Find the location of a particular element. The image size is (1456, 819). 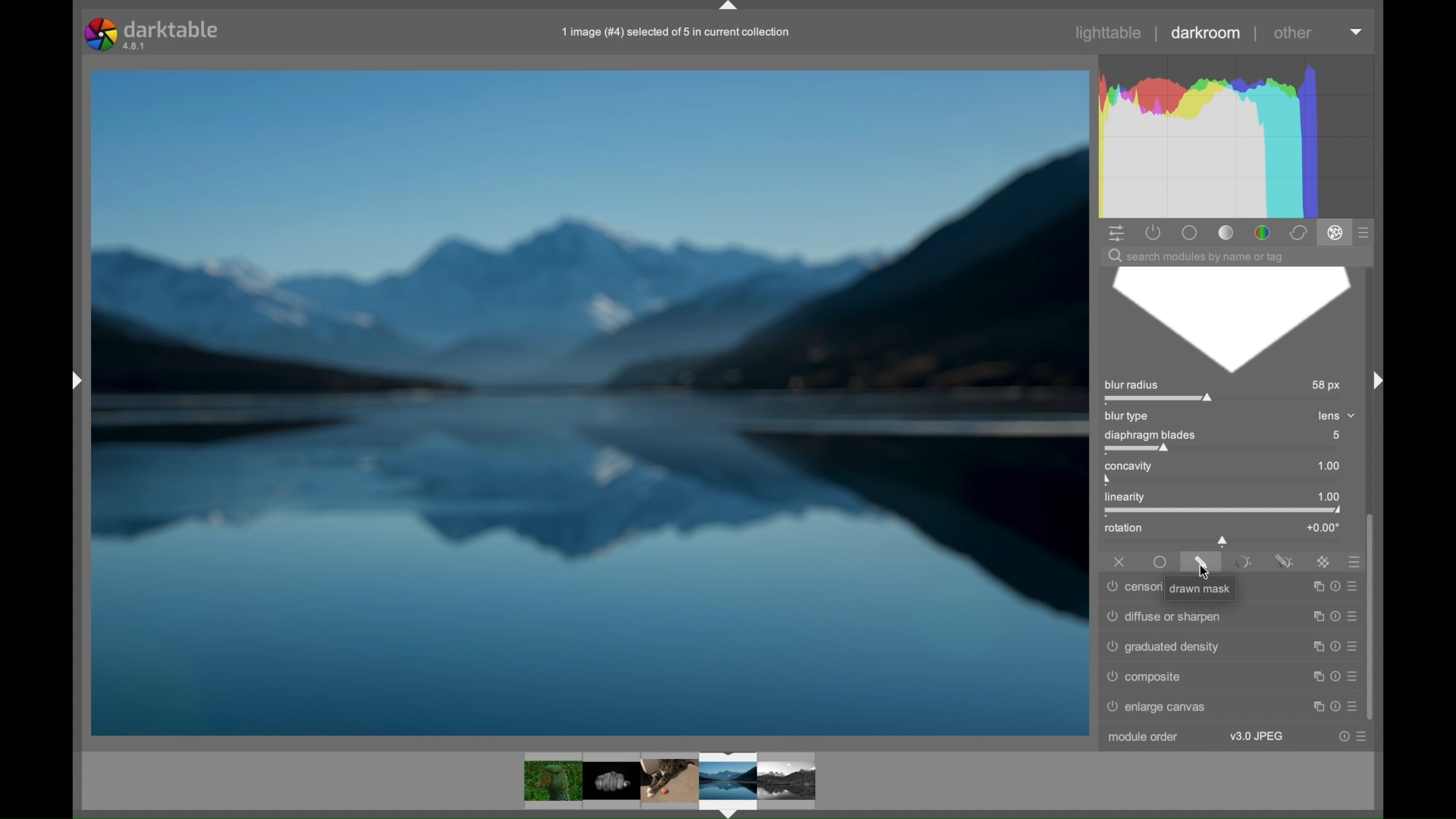

photo  is located at coordinates (590, 401).